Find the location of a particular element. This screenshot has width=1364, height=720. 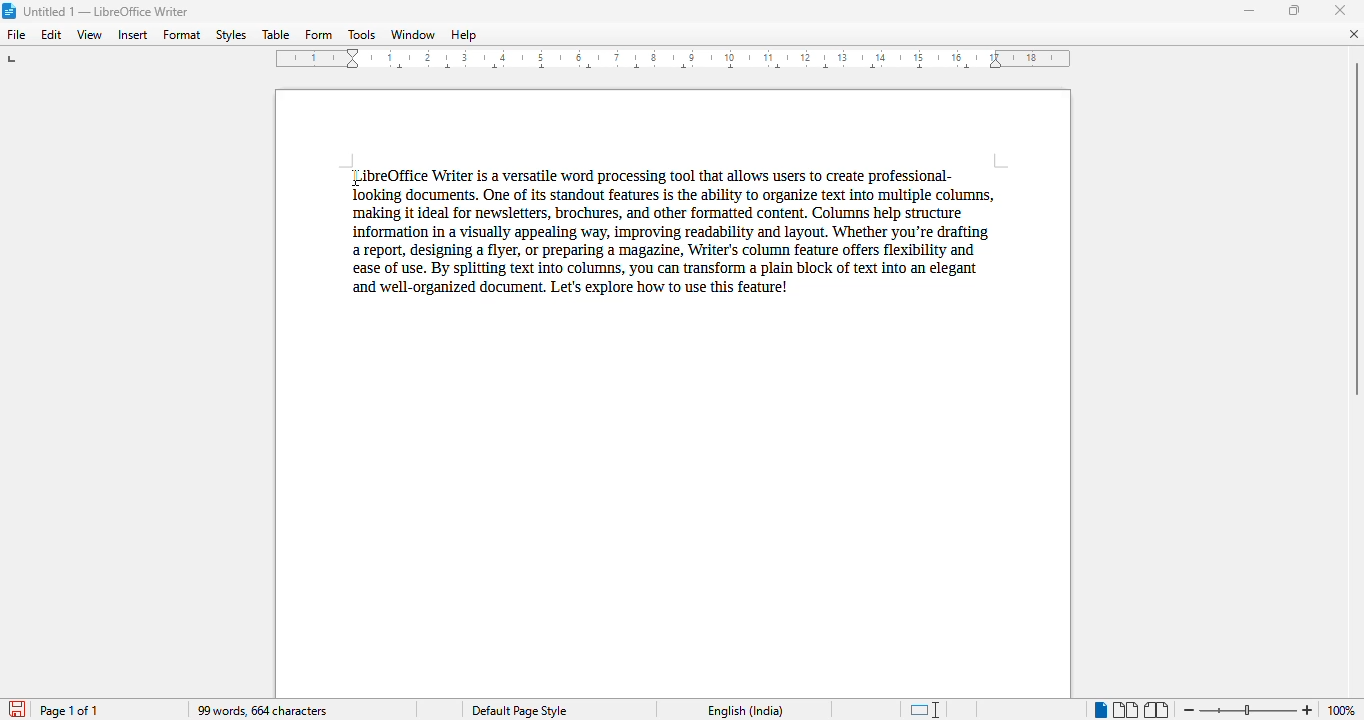

file is located at coordinates (15, 34).